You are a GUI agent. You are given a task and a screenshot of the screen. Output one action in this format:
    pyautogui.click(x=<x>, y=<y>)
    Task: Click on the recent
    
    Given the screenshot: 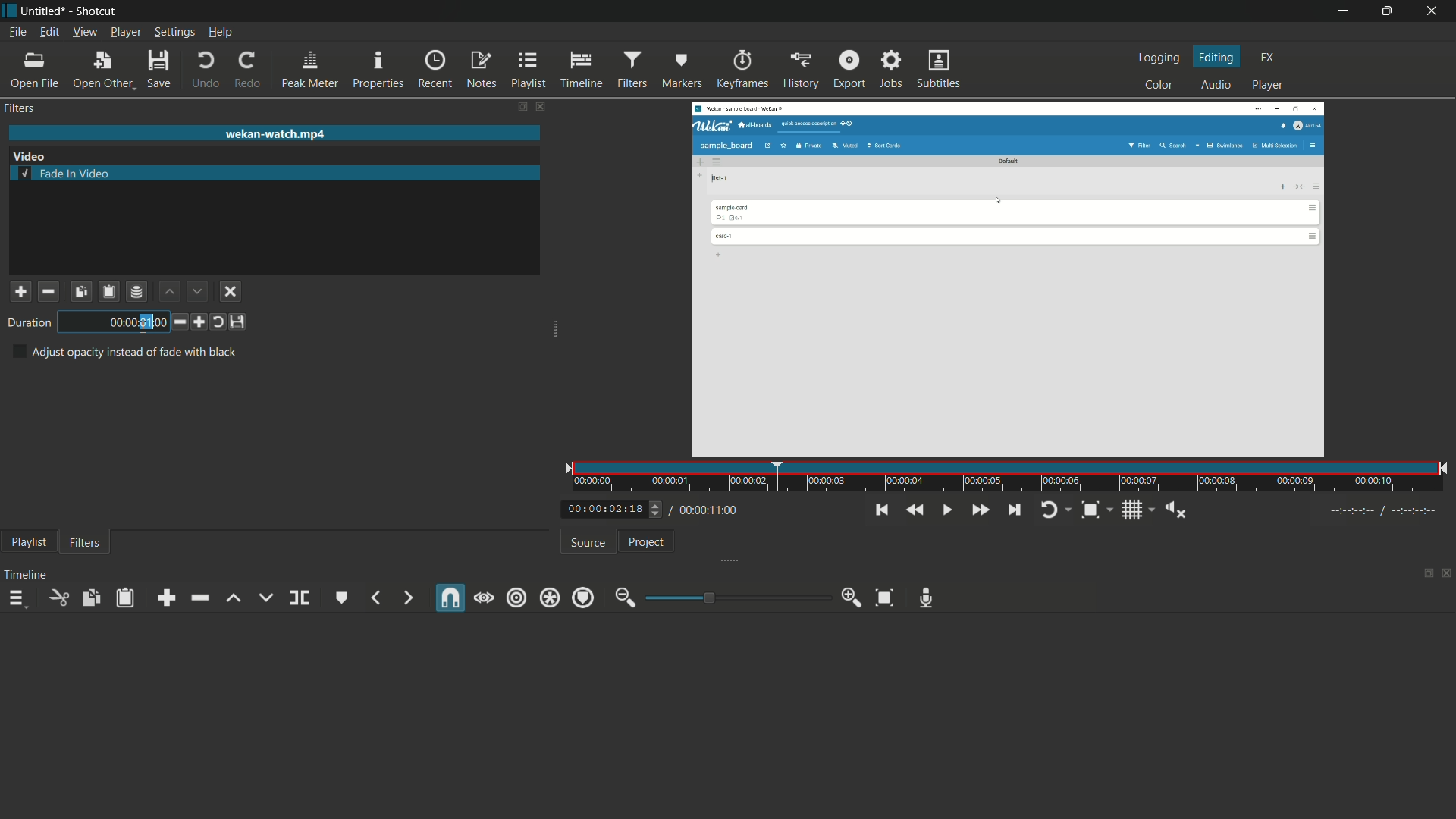 What is the action you would take?
    pyautogui.click(x=435, y=71)
    